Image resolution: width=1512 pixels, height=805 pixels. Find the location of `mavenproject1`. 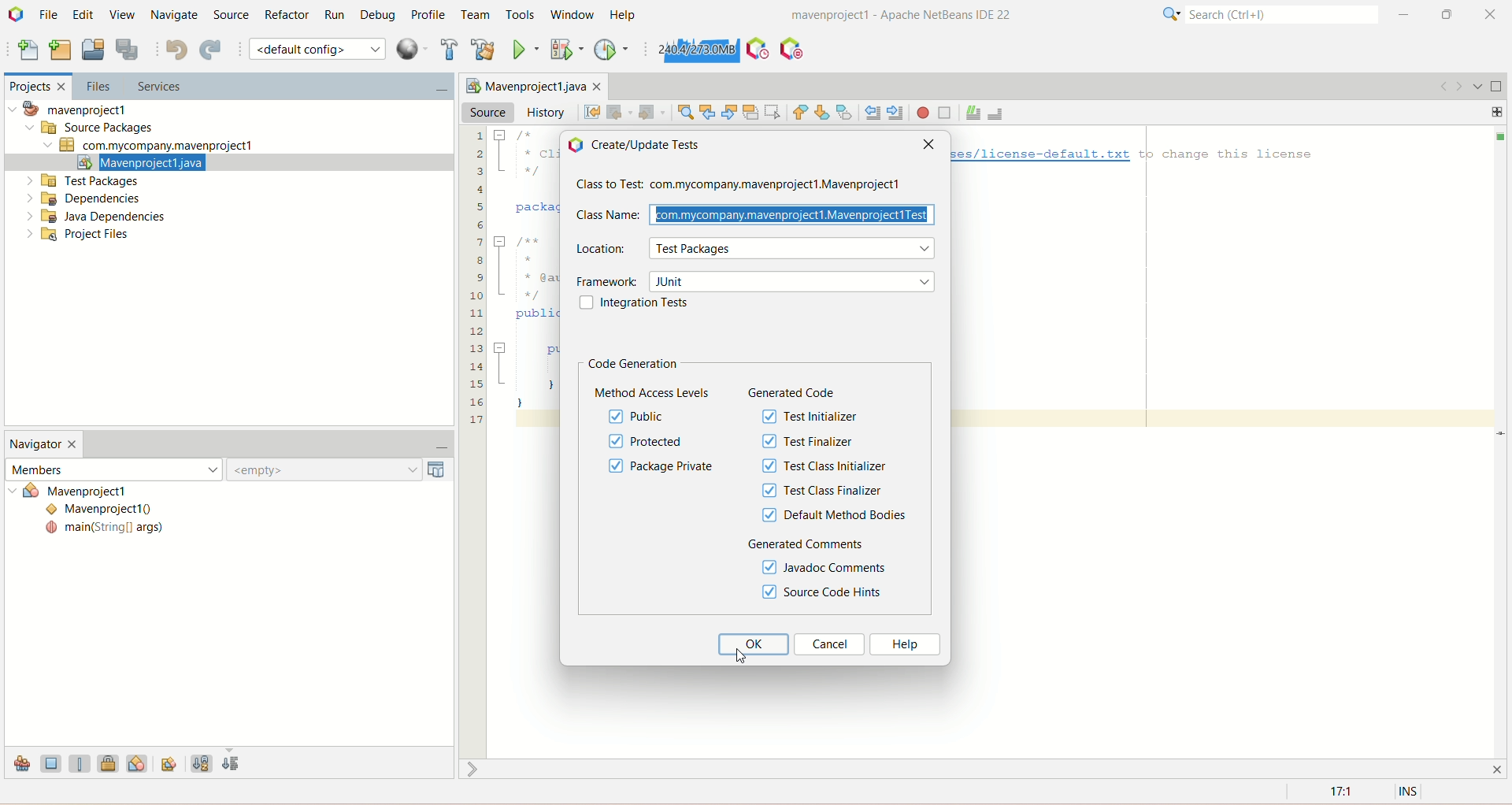

mavenproject1 is located at coordinates (97, 492).